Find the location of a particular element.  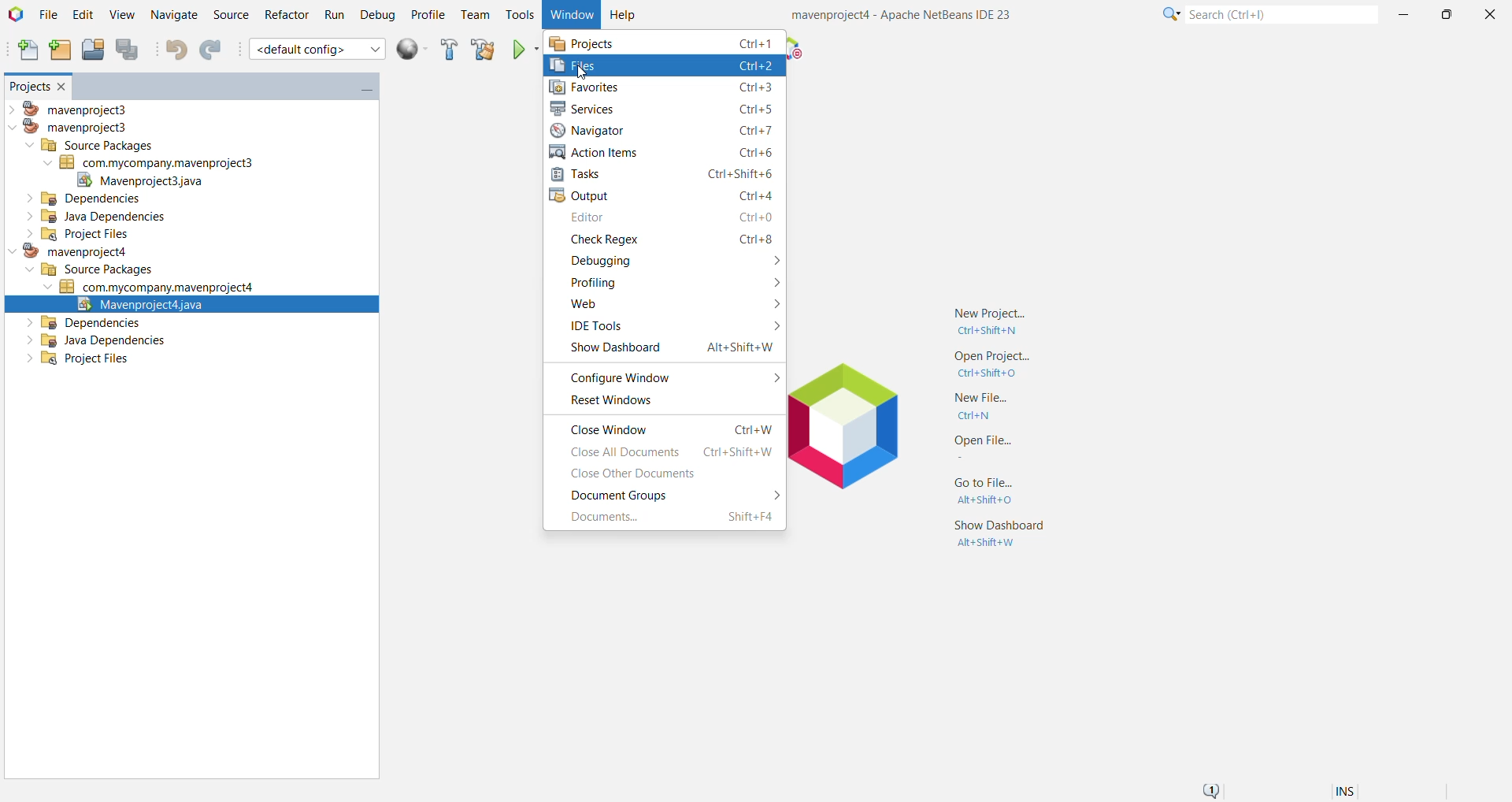

 is located at coordinates (415, 50).